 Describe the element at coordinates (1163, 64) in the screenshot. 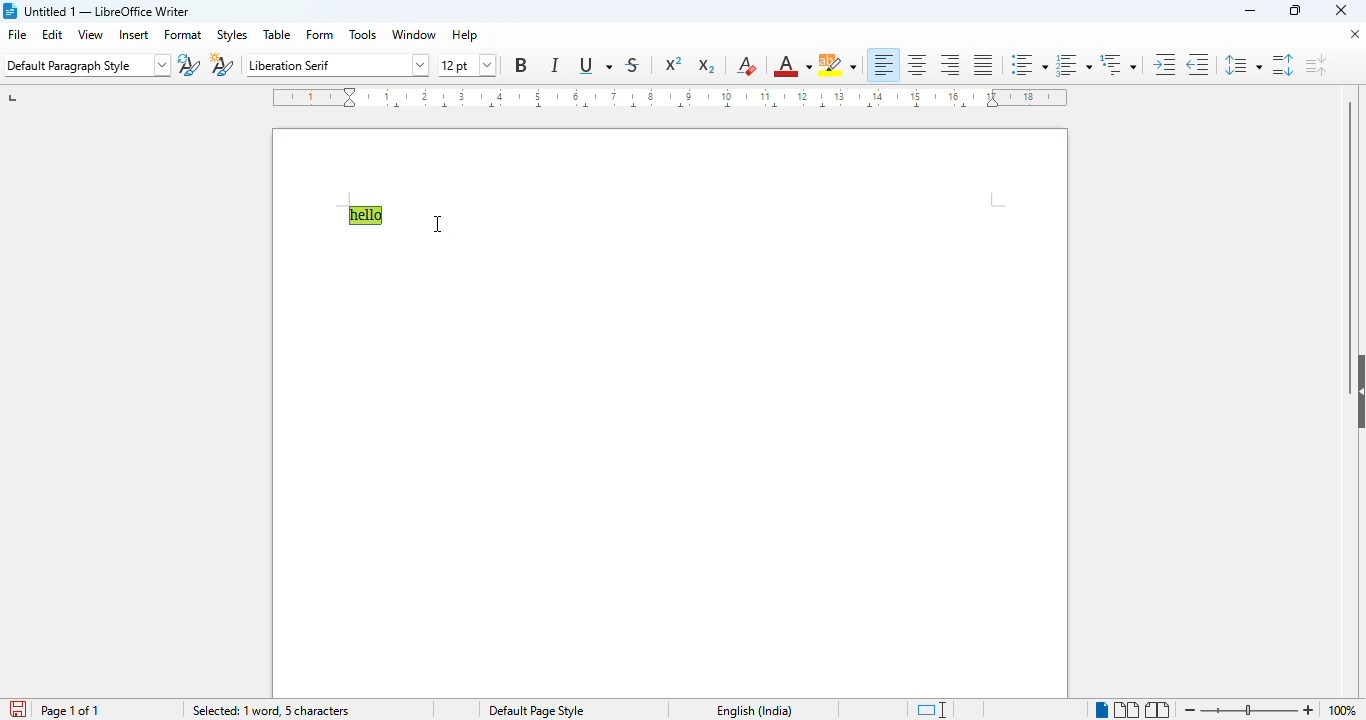

I see `increase indent` at that location.